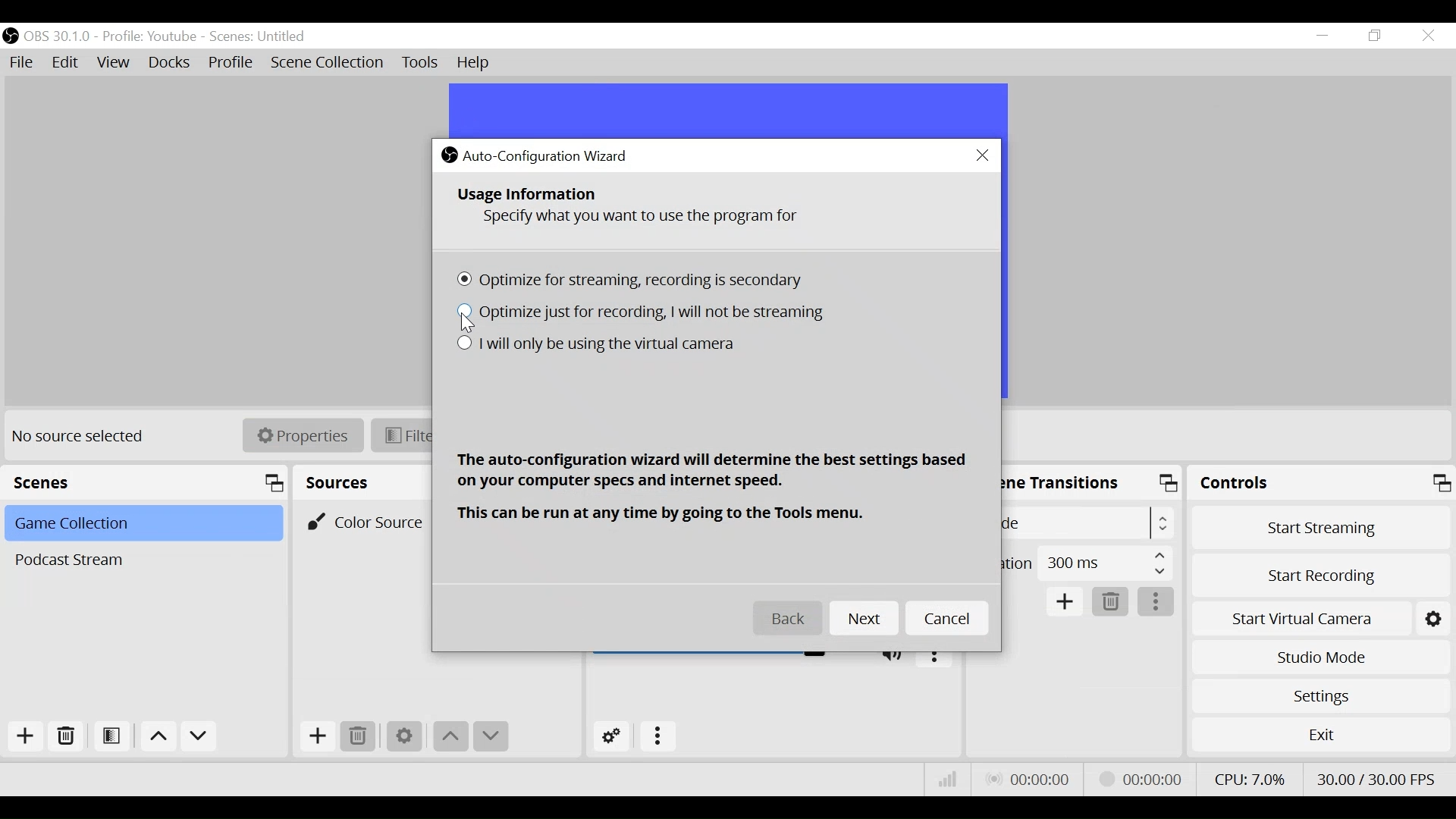  I want to click on CPU Usage, so click(1249, 779).